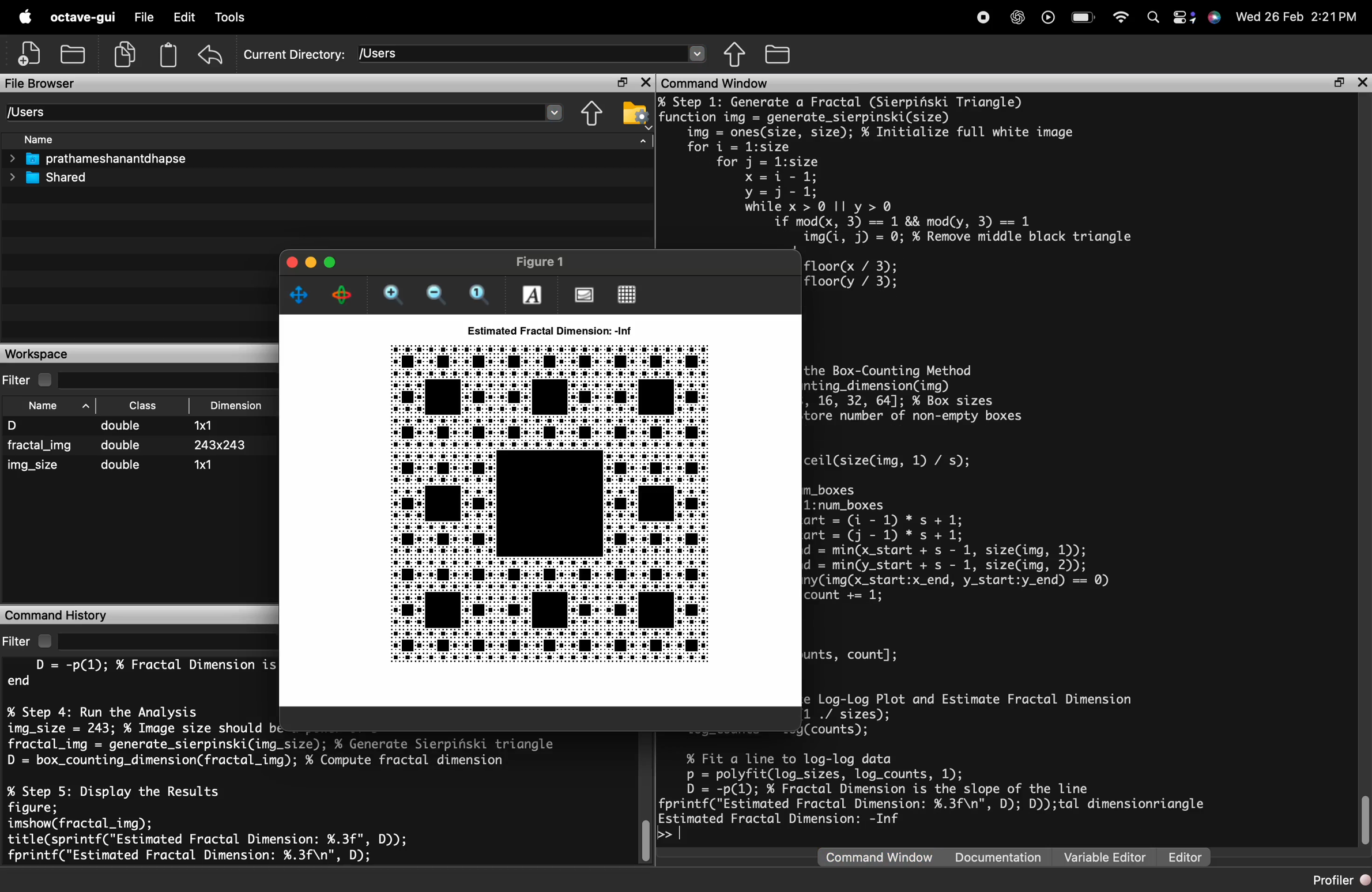 This screenshot has height=892, width=1372. Describe the element at coordinates (1216, 14) in the screenshot. I see `siri` at that location.